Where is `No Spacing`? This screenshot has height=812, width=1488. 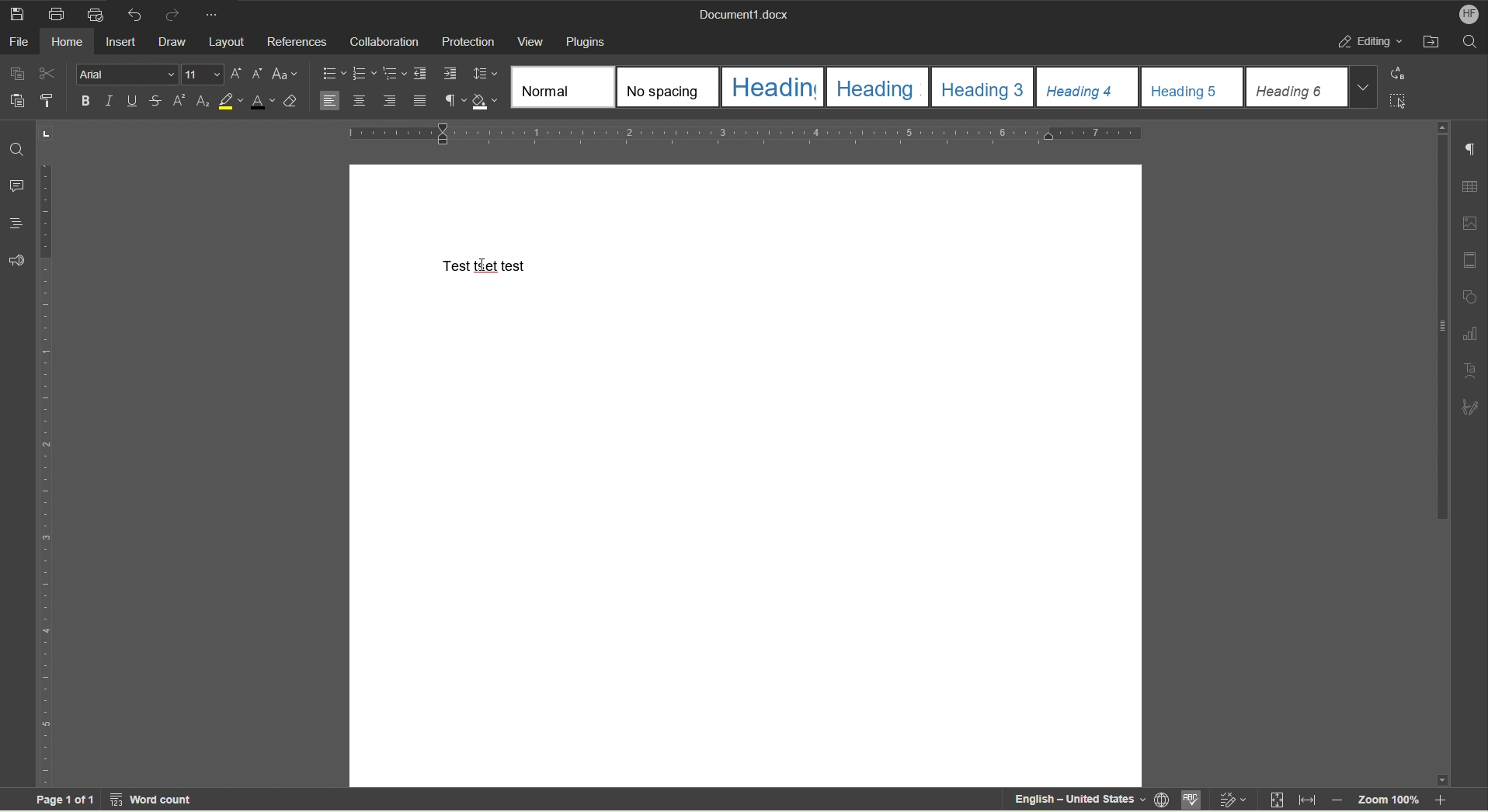
No Spacing is located at coordinates (671, 88).